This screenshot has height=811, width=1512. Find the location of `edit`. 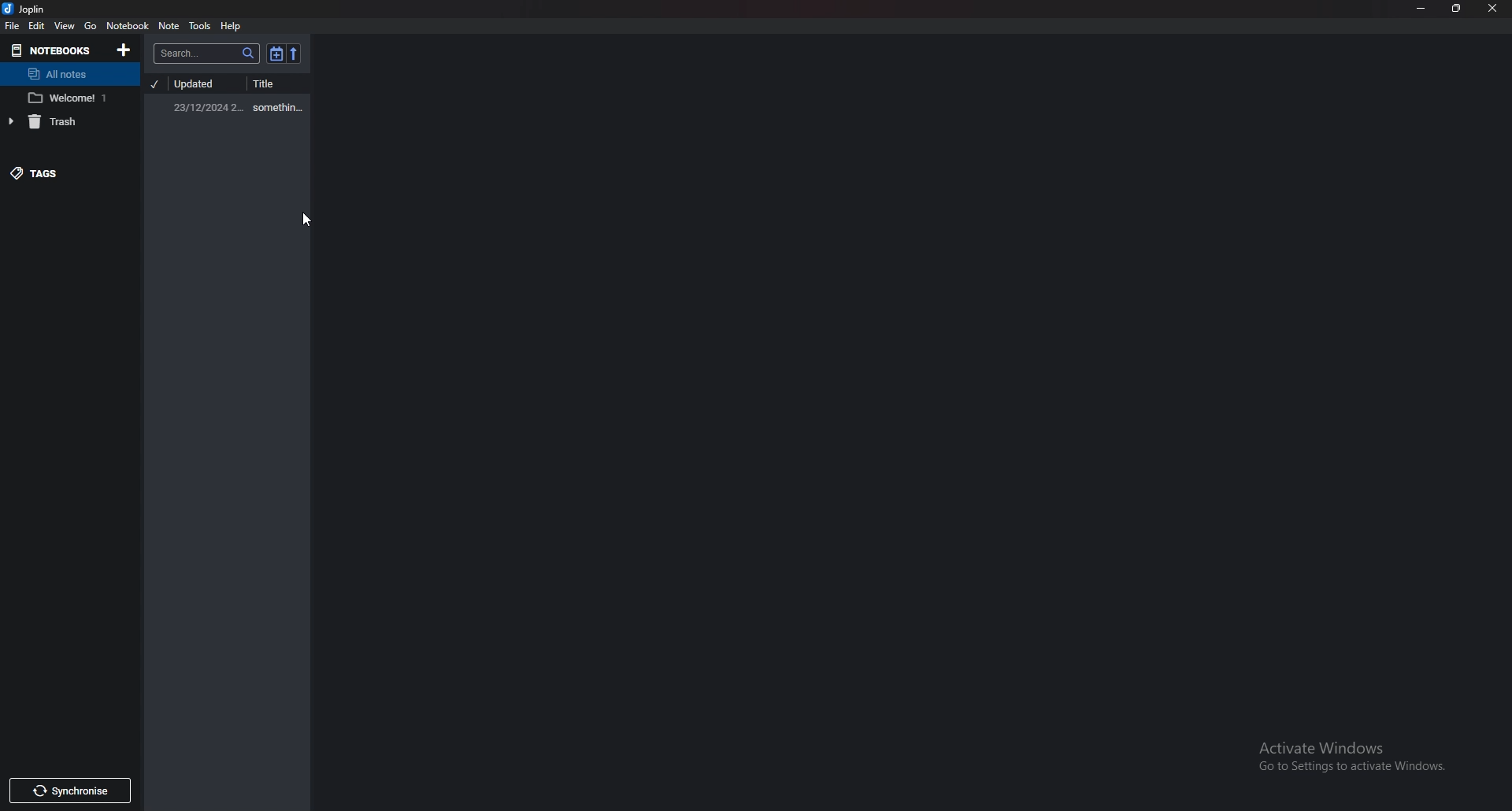

edit is located at coordinates (39, 26).